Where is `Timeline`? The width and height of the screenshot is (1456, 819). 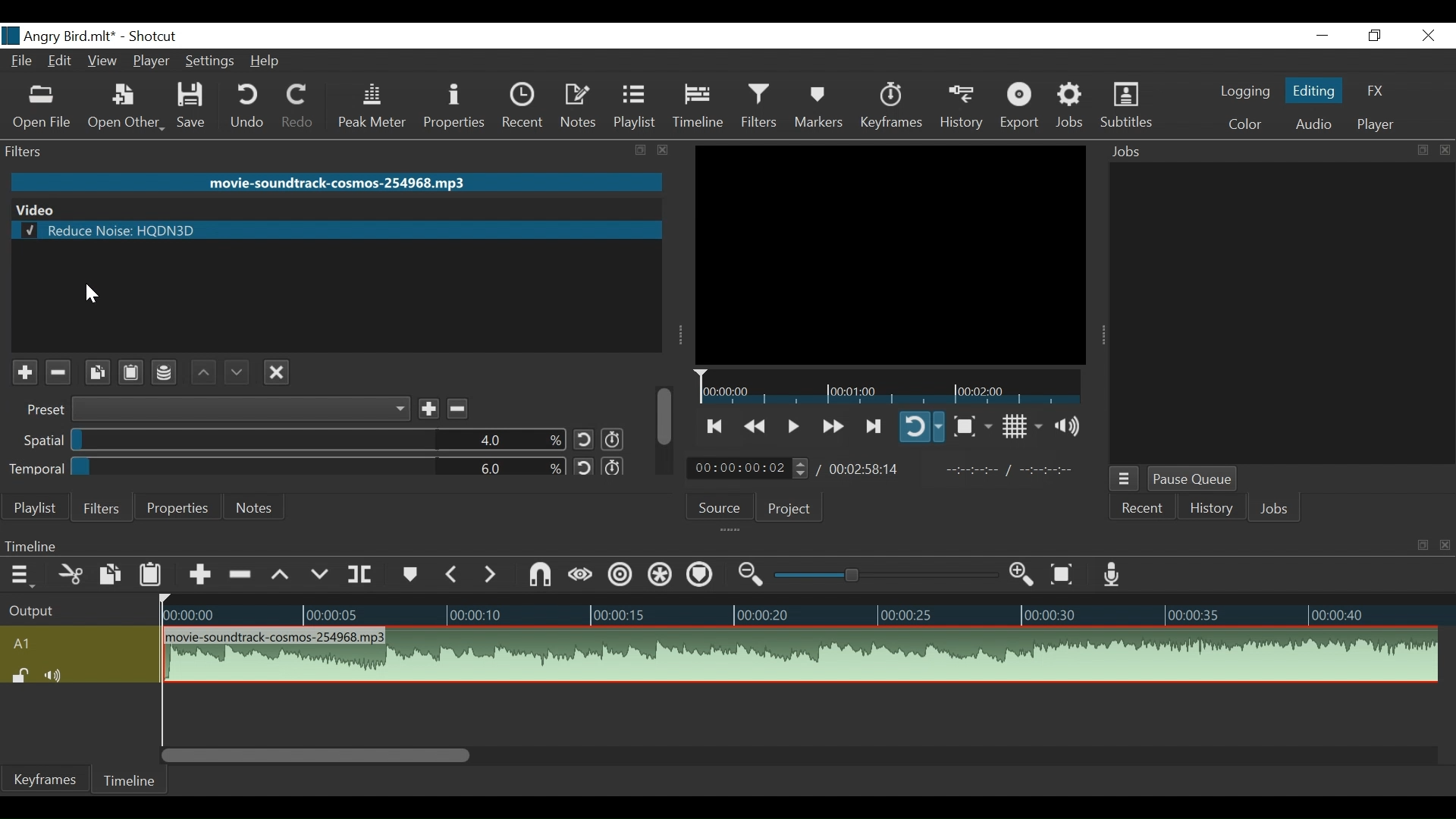
Timeline is located at coordinates (888, 387).